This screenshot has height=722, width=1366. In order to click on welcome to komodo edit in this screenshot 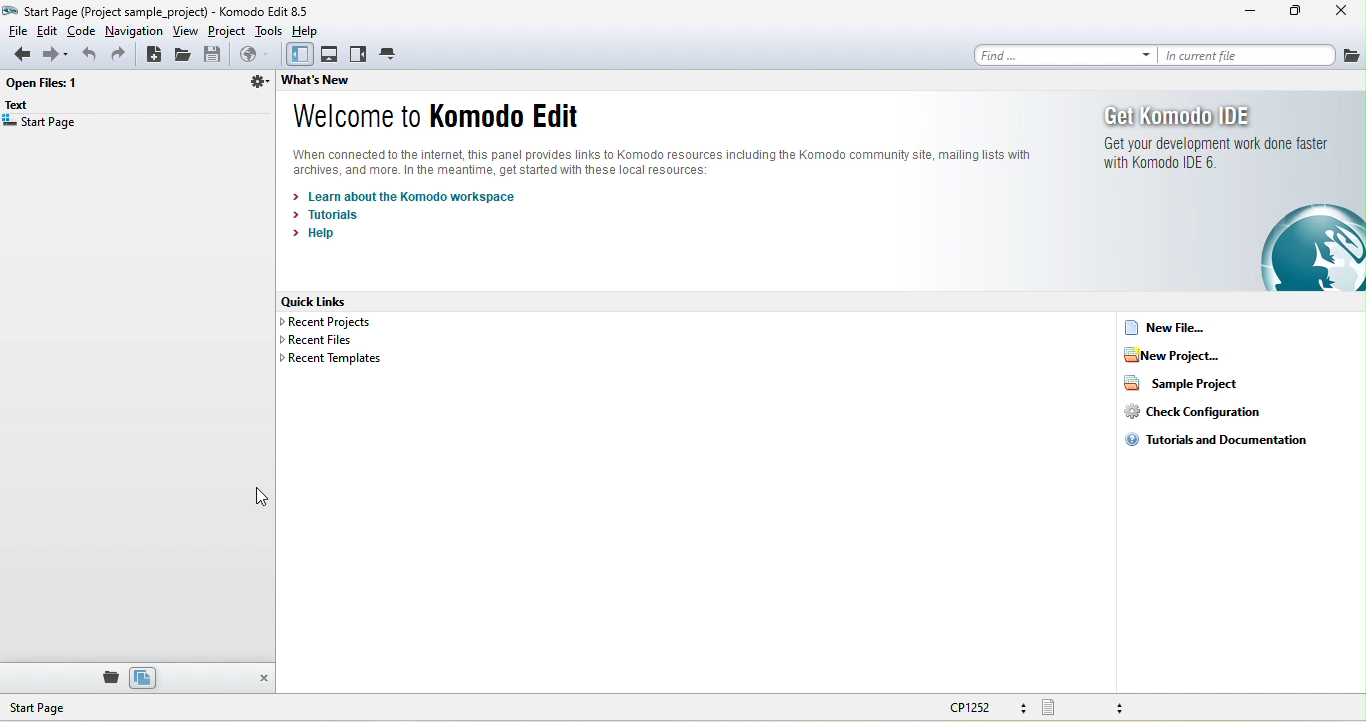, I will do `click(436, 118)`.